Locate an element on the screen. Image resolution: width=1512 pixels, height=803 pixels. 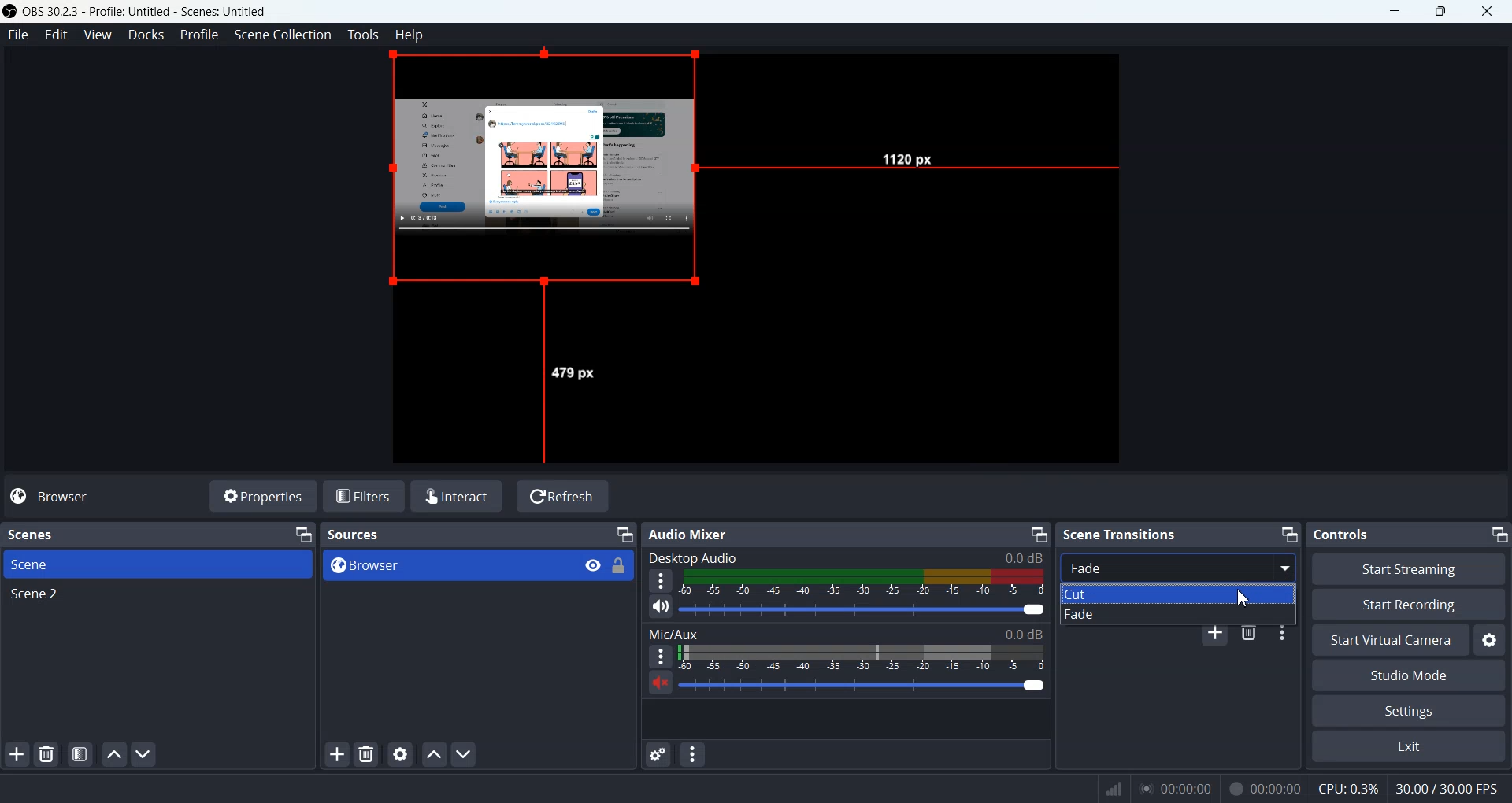
Delete selected sources is located at coordinates (365, 753).